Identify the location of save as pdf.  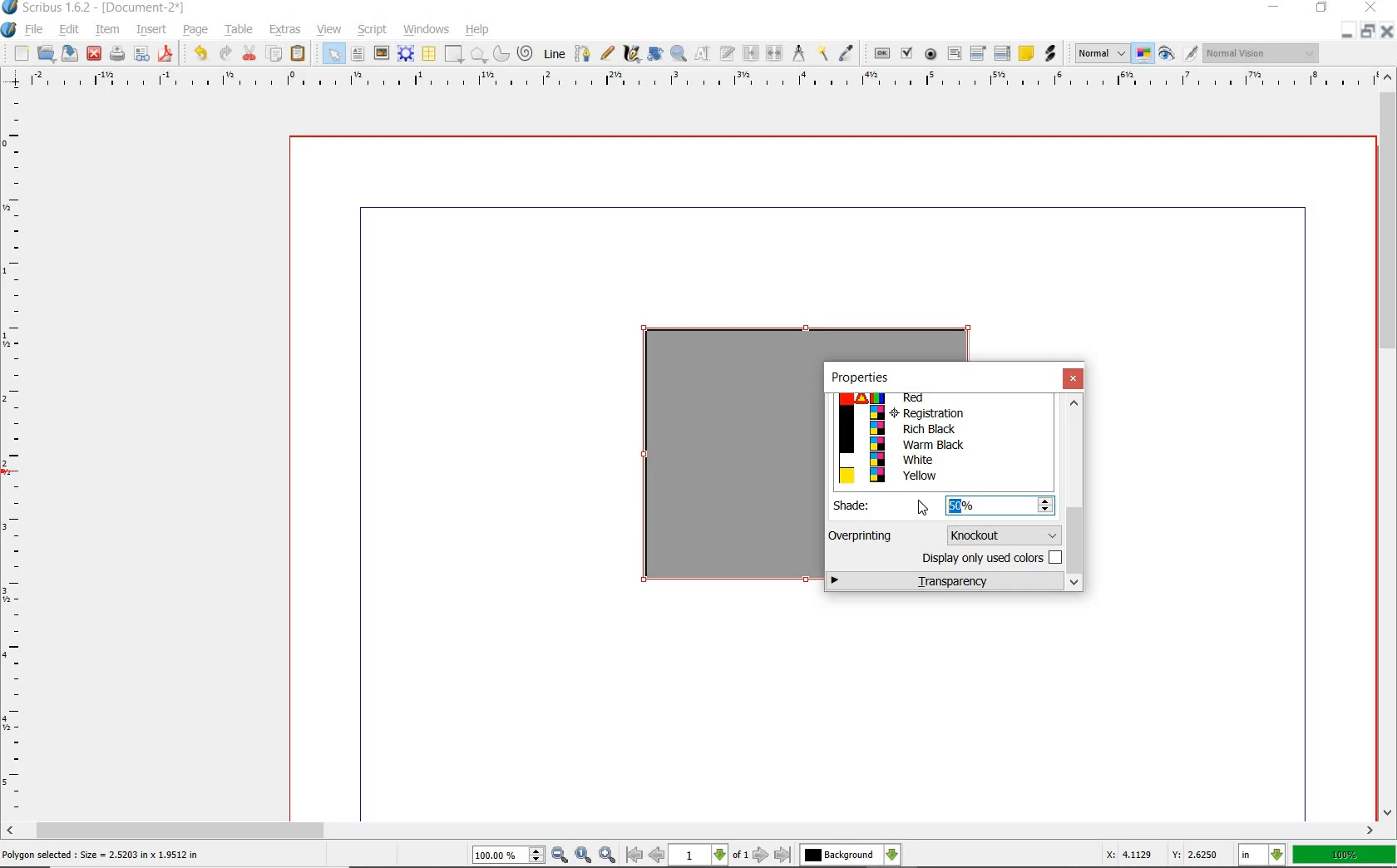
(167, 54).